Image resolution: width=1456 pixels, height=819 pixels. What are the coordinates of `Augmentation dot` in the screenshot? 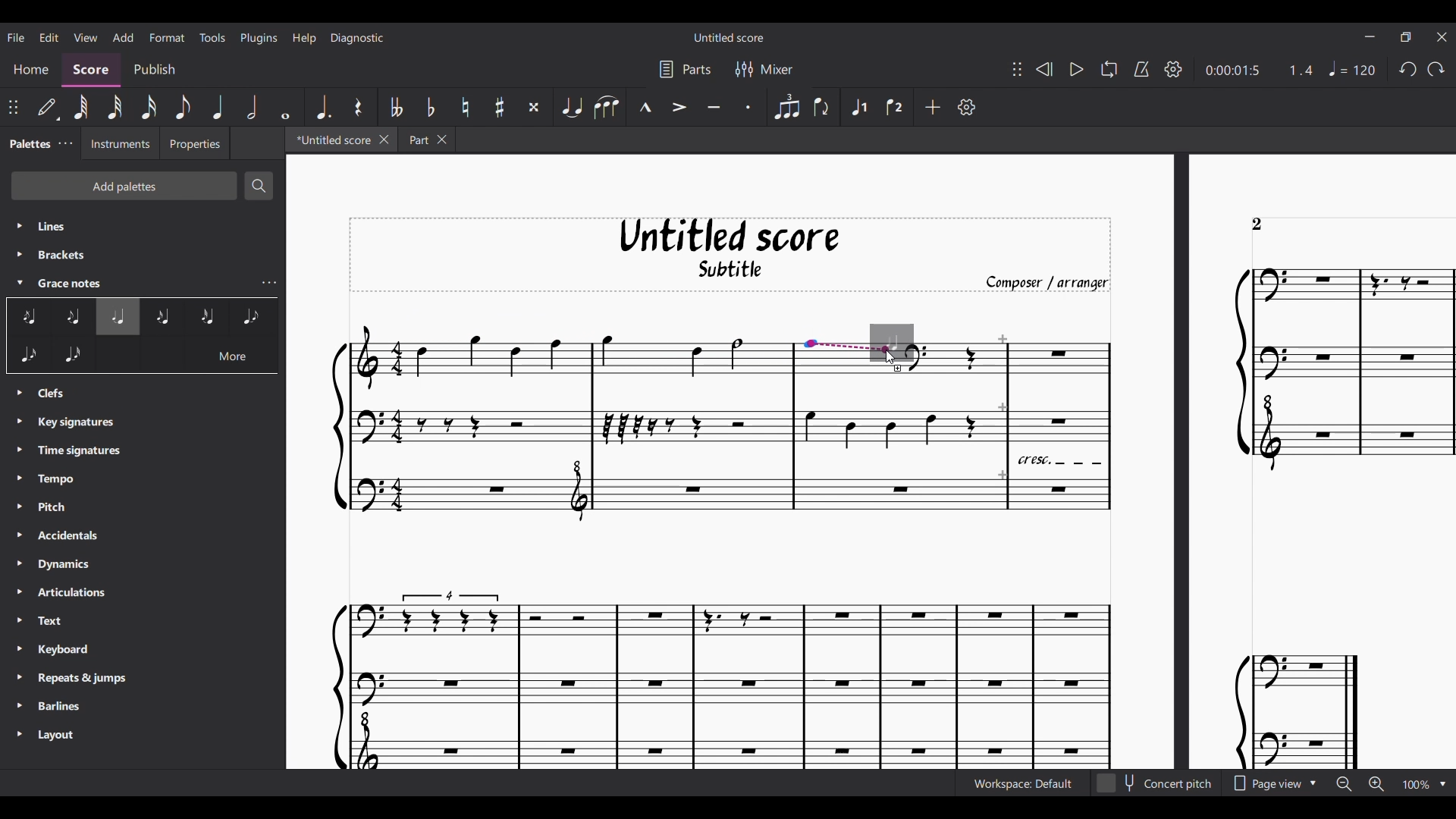 It's located at (322, 108).